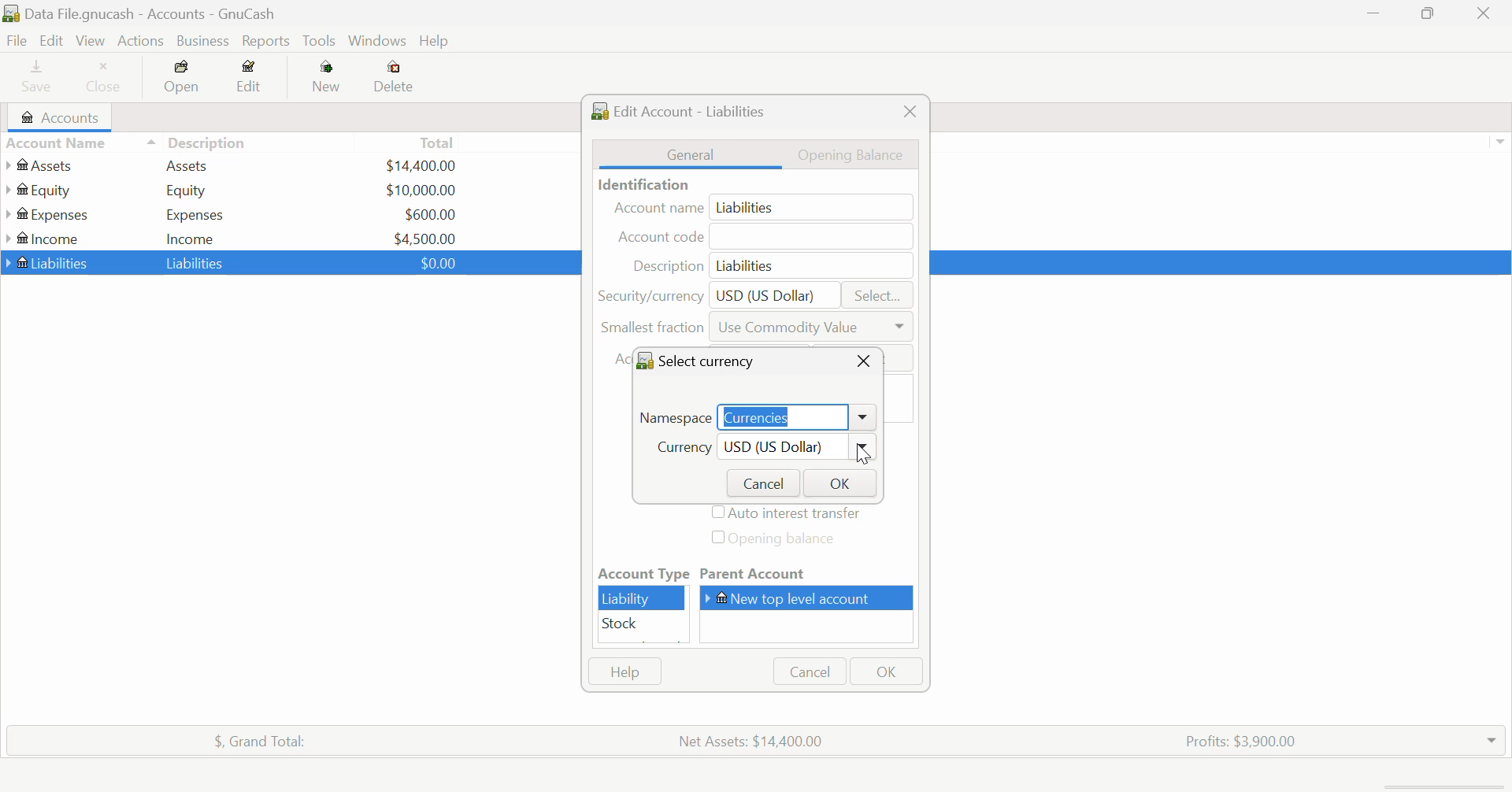 The width and height of the screenshot is (1512, 792). I want to click on Description: Liabilities, so click(766, 265).